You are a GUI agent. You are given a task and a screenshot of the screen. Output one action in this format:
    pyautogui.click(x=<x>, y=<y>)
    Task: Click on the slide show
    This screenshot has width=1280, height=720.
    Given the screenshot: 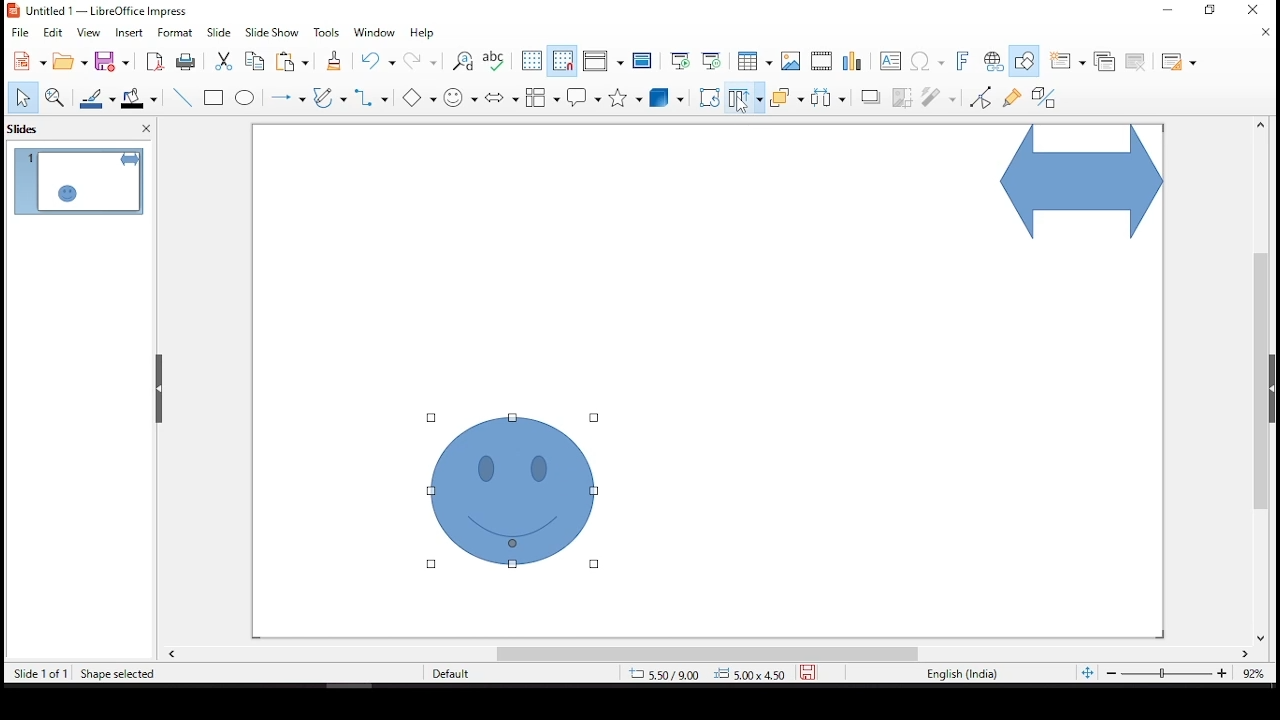 What is the action you would take?
    pyautogui.click(x=270, y=31)
    